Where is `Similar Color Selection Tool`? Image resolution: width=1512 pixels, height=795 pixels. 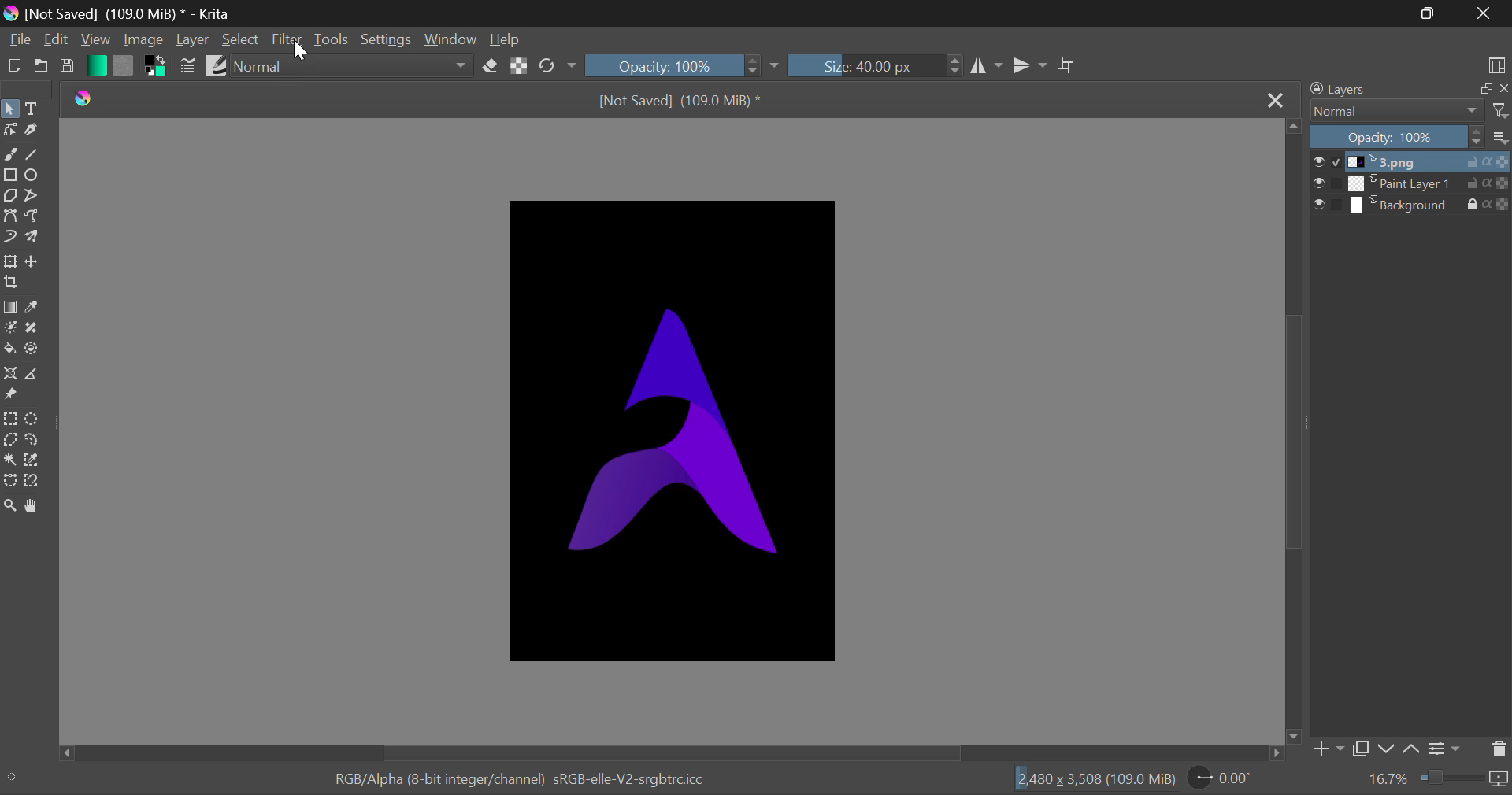 Similar Color Selection Tool is located at coordinates (38, 461).